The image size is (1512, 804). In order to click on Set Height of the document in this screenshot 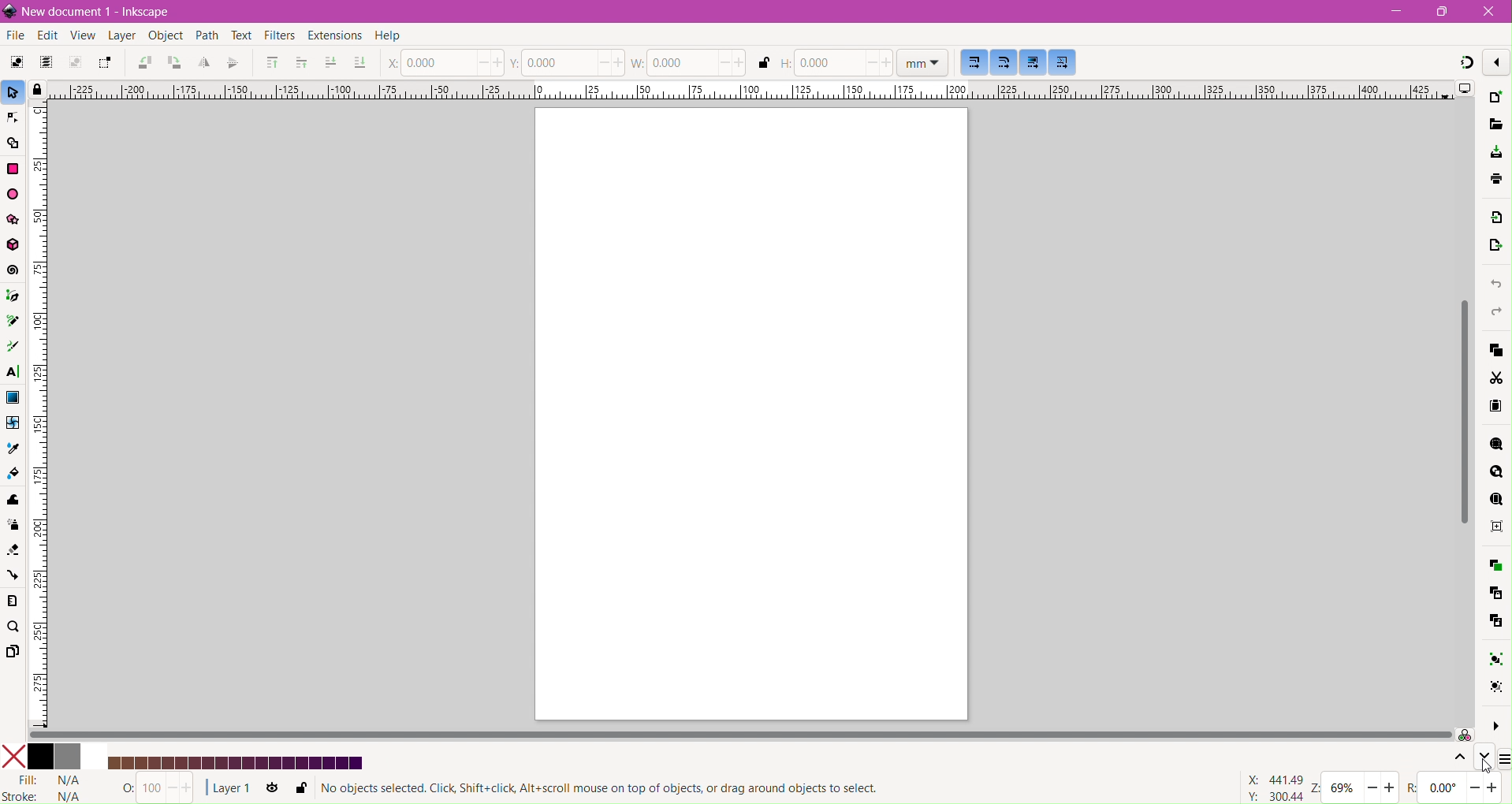, I will do `click(832, 63)`.